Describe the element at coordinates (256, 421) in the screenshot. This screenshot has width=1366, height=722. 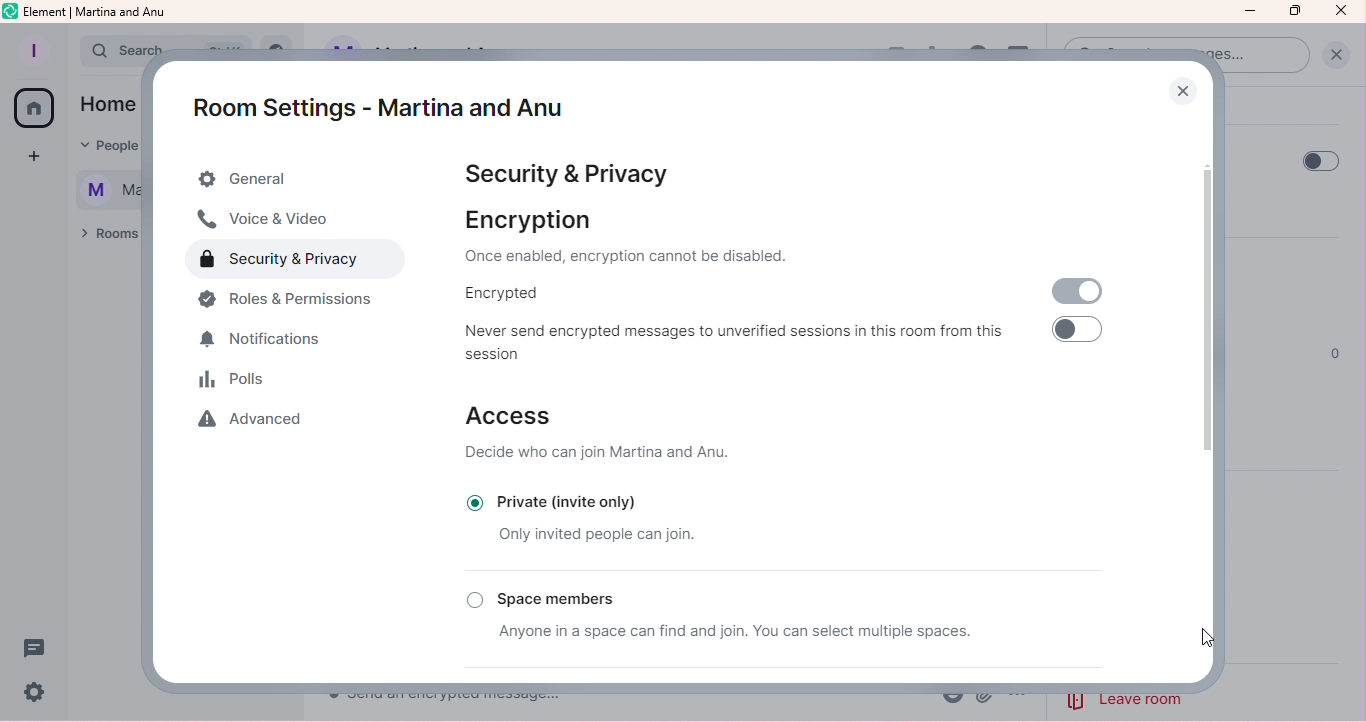
I see `Advanced` at that location.